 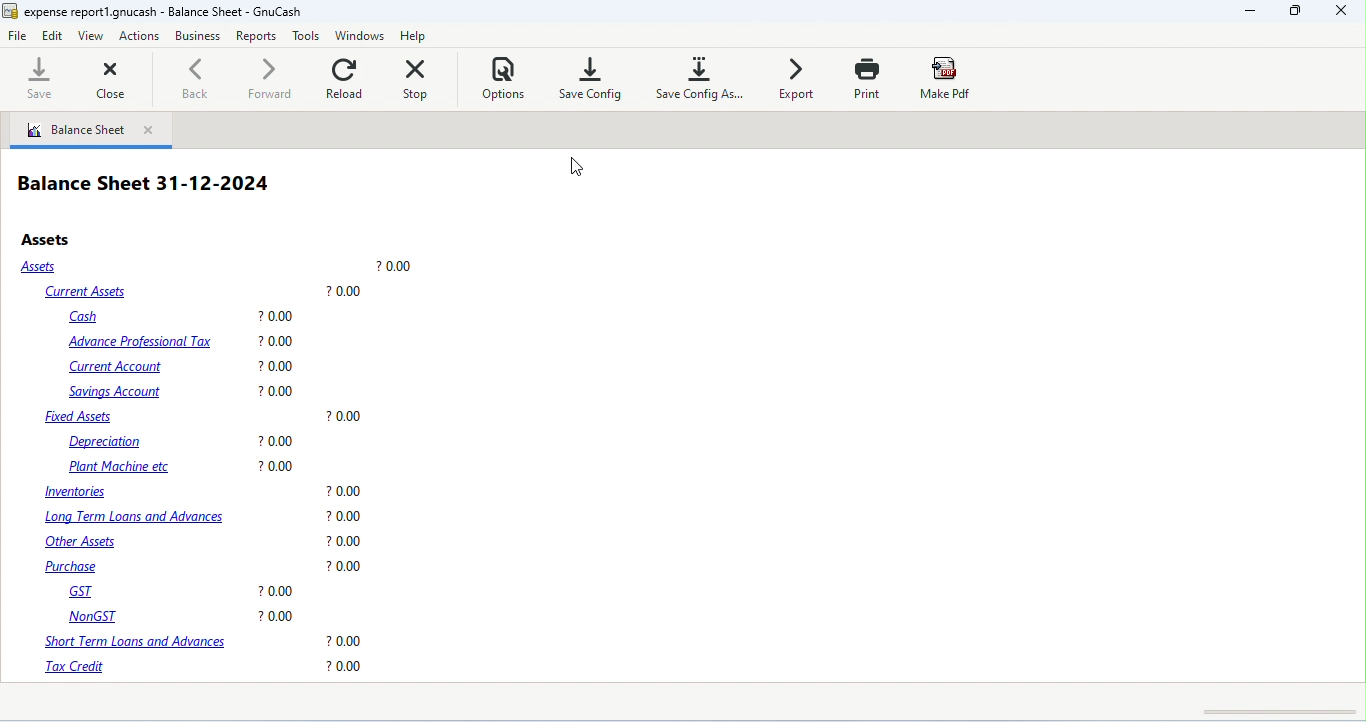 I want to click on help, so click(x=416, y=35).